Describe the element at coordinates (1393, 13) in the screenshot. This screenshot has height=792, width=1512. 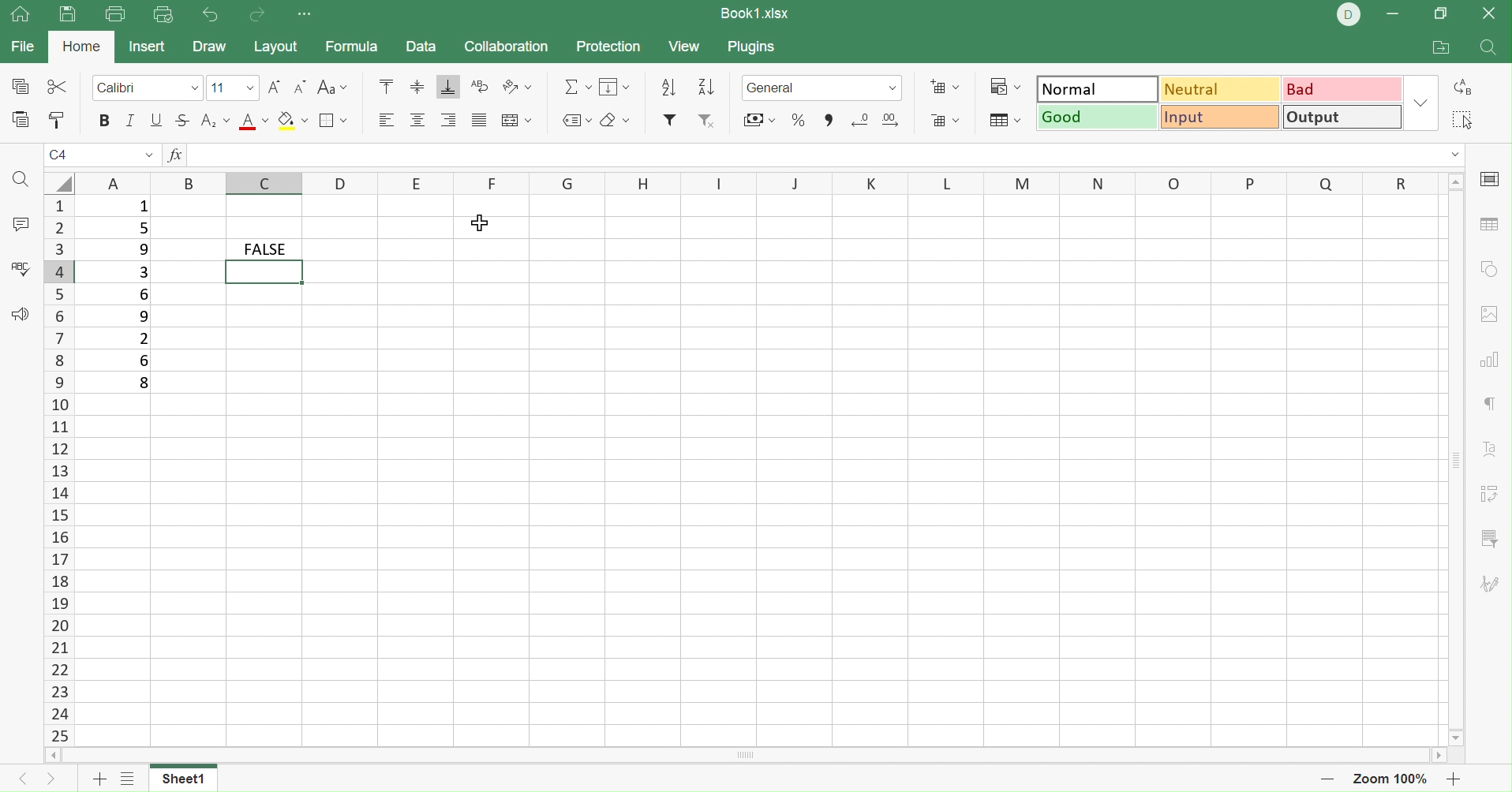
I see `Minimize` at that location.